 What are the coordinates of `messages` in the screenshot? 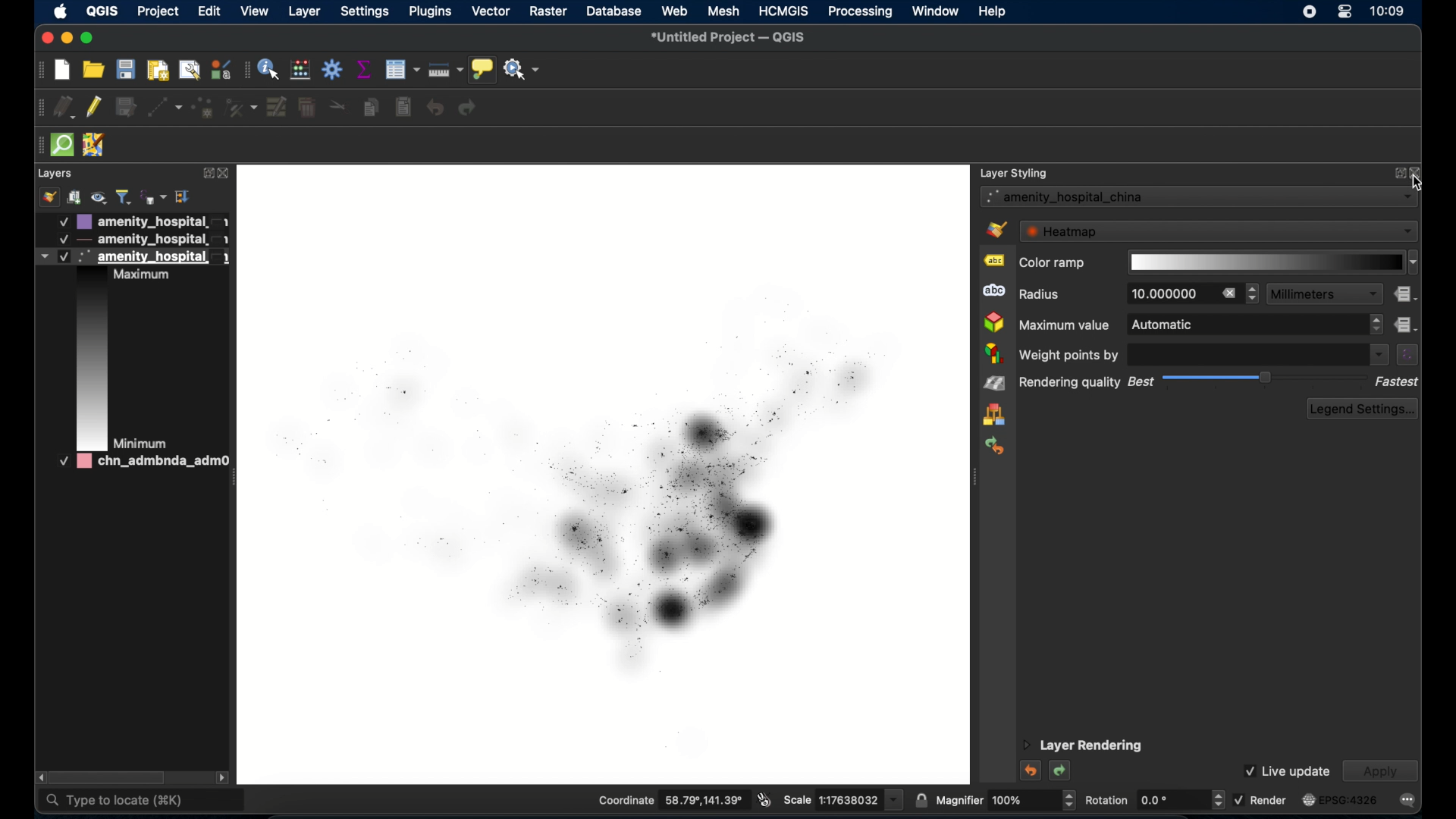 It's located at (1408, 800).